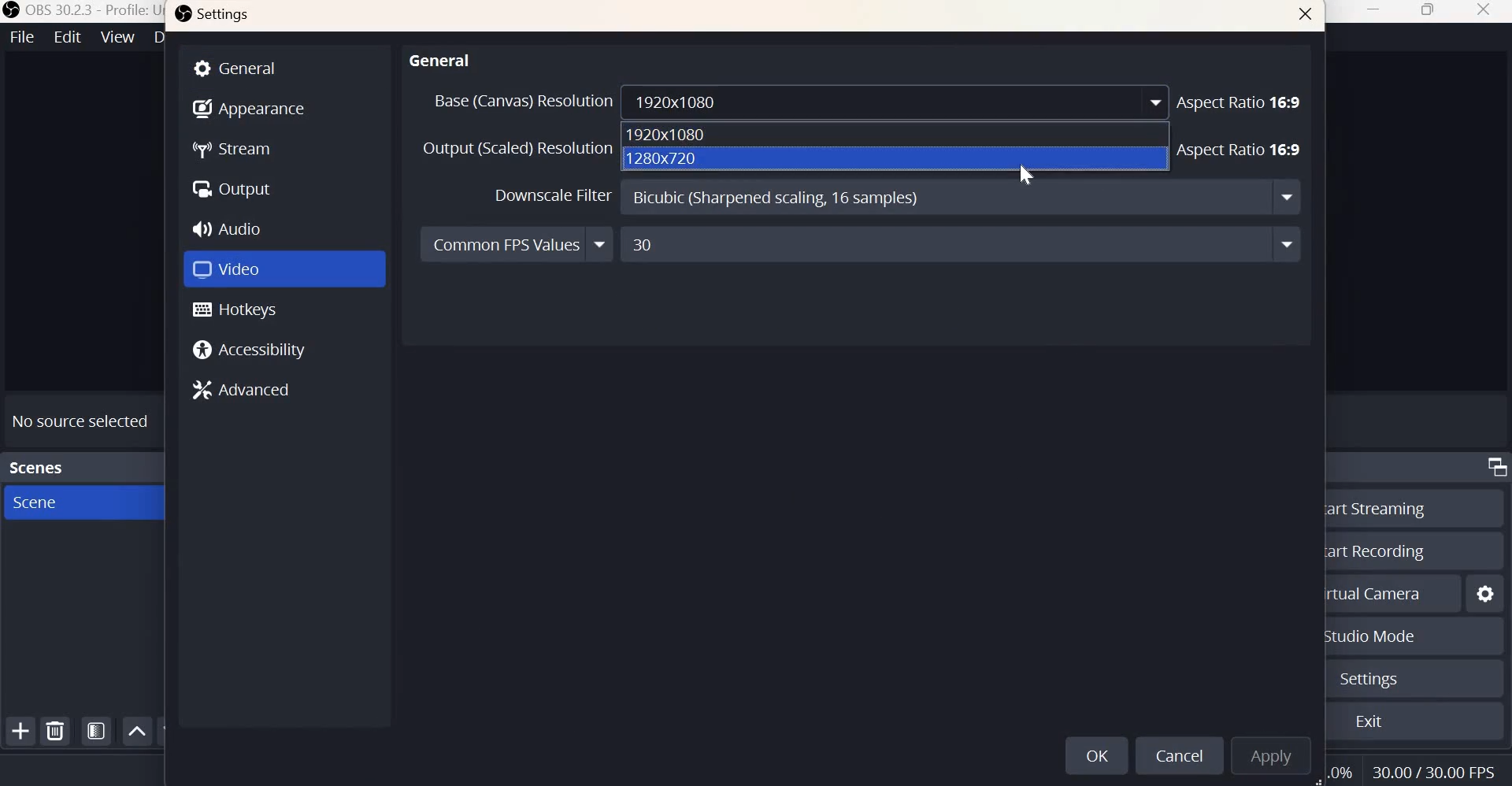  Describe the element at coordinates (1486, 591) in the screenshot. I see `Configure virtual camera` at that location.